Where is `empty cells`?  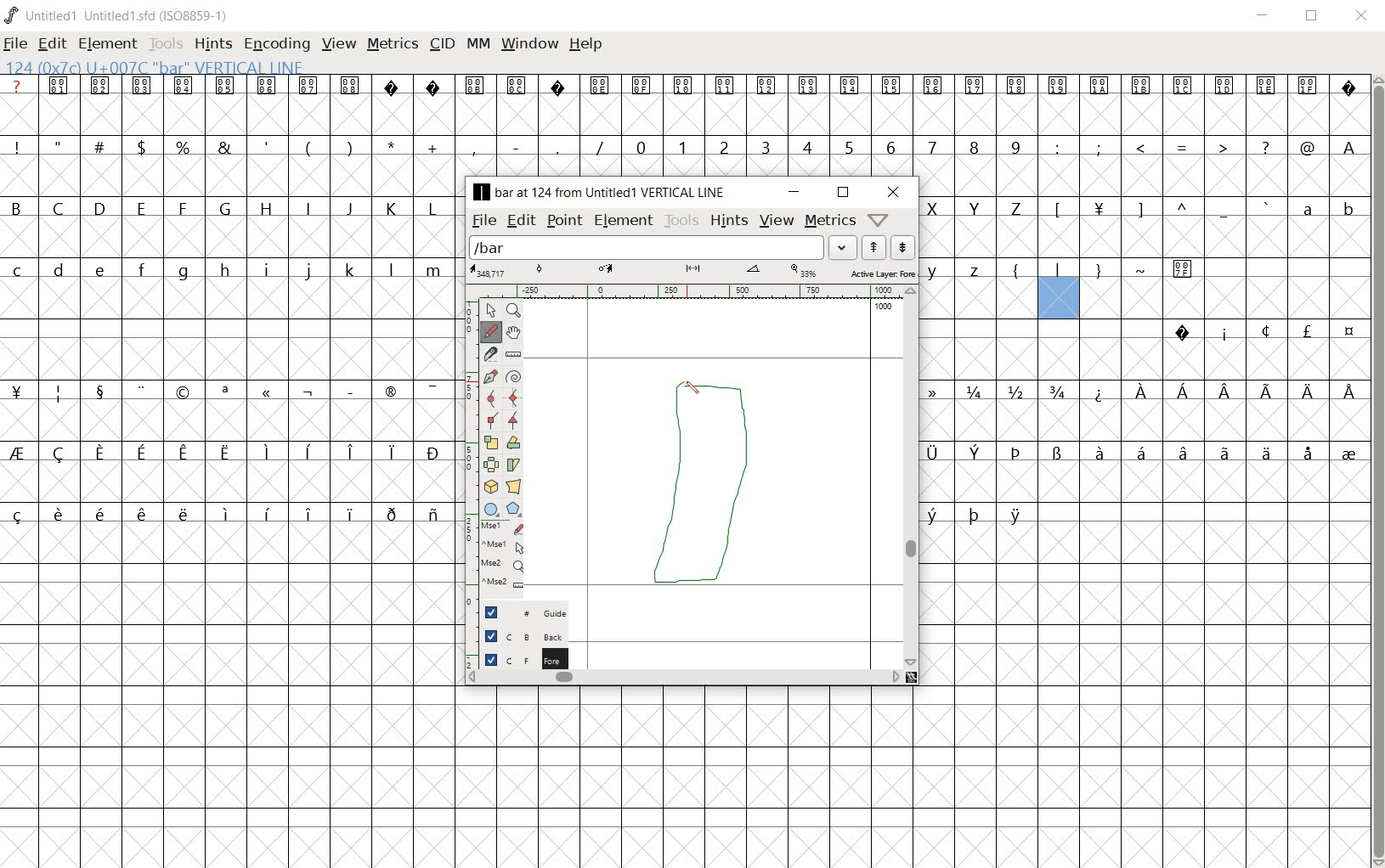 empty cells is located at coordinates (229, 177).